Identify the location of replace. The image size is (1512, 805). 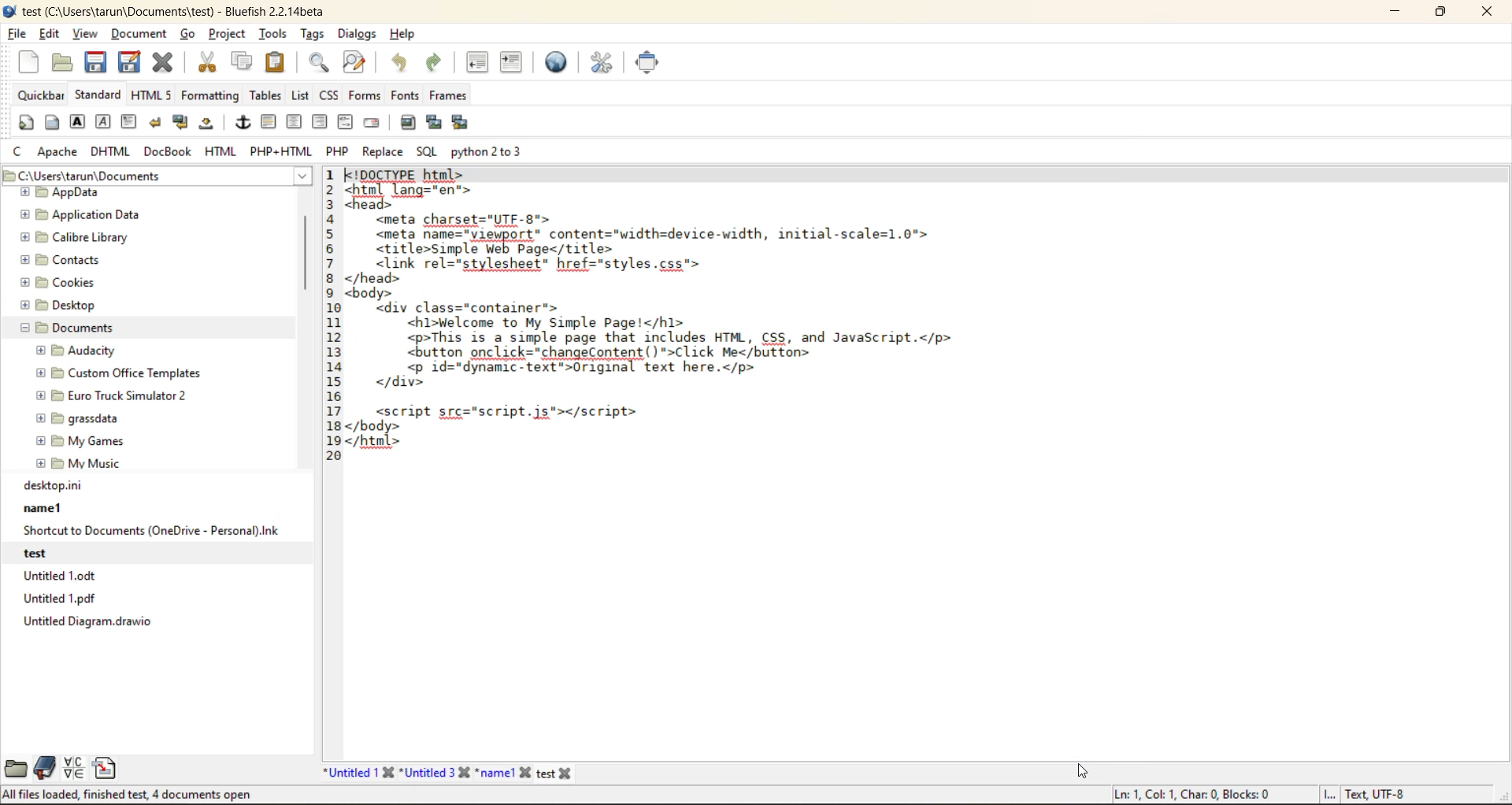
(385, 152).